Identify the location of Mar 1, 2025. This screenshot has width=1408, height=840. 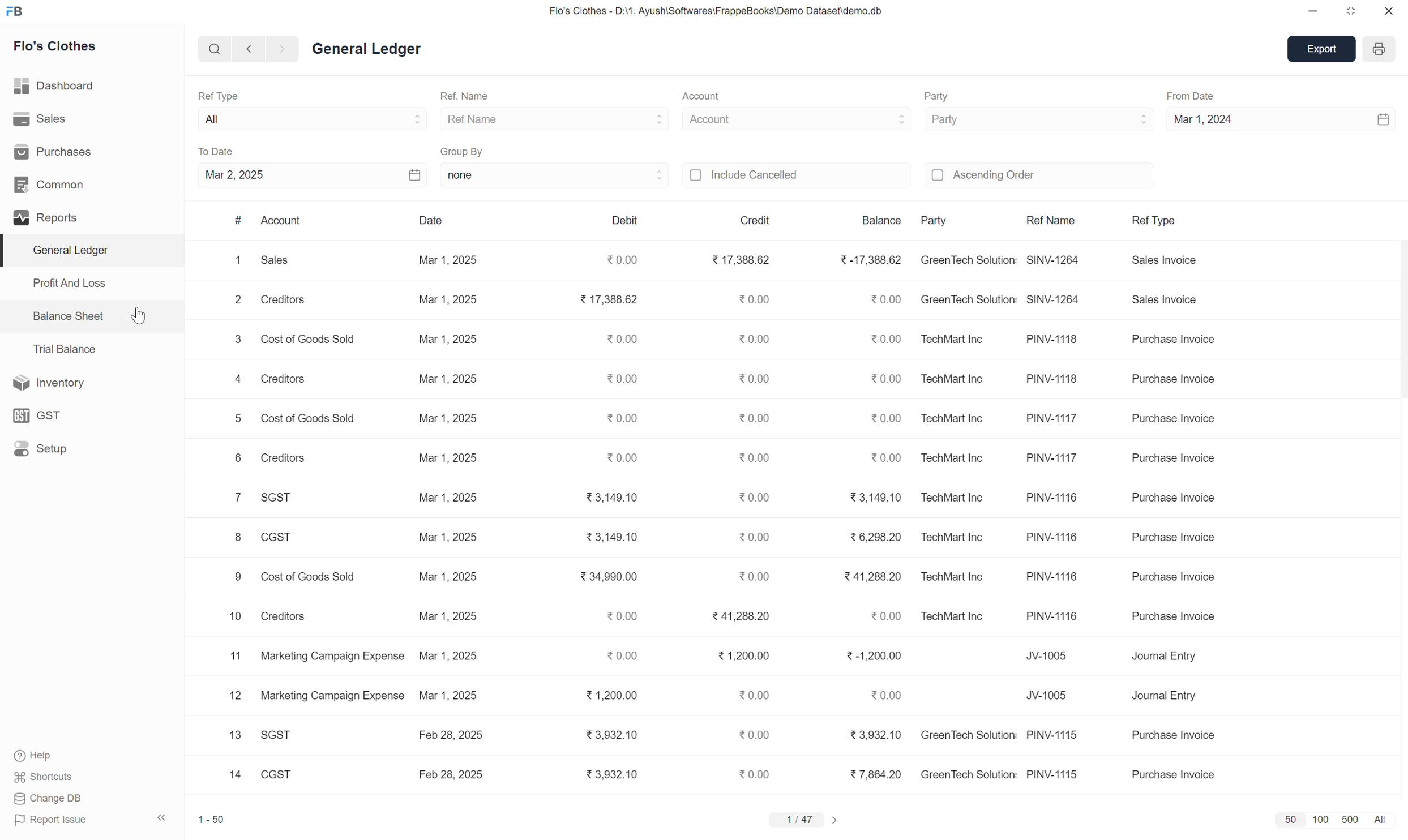
(450, 262).